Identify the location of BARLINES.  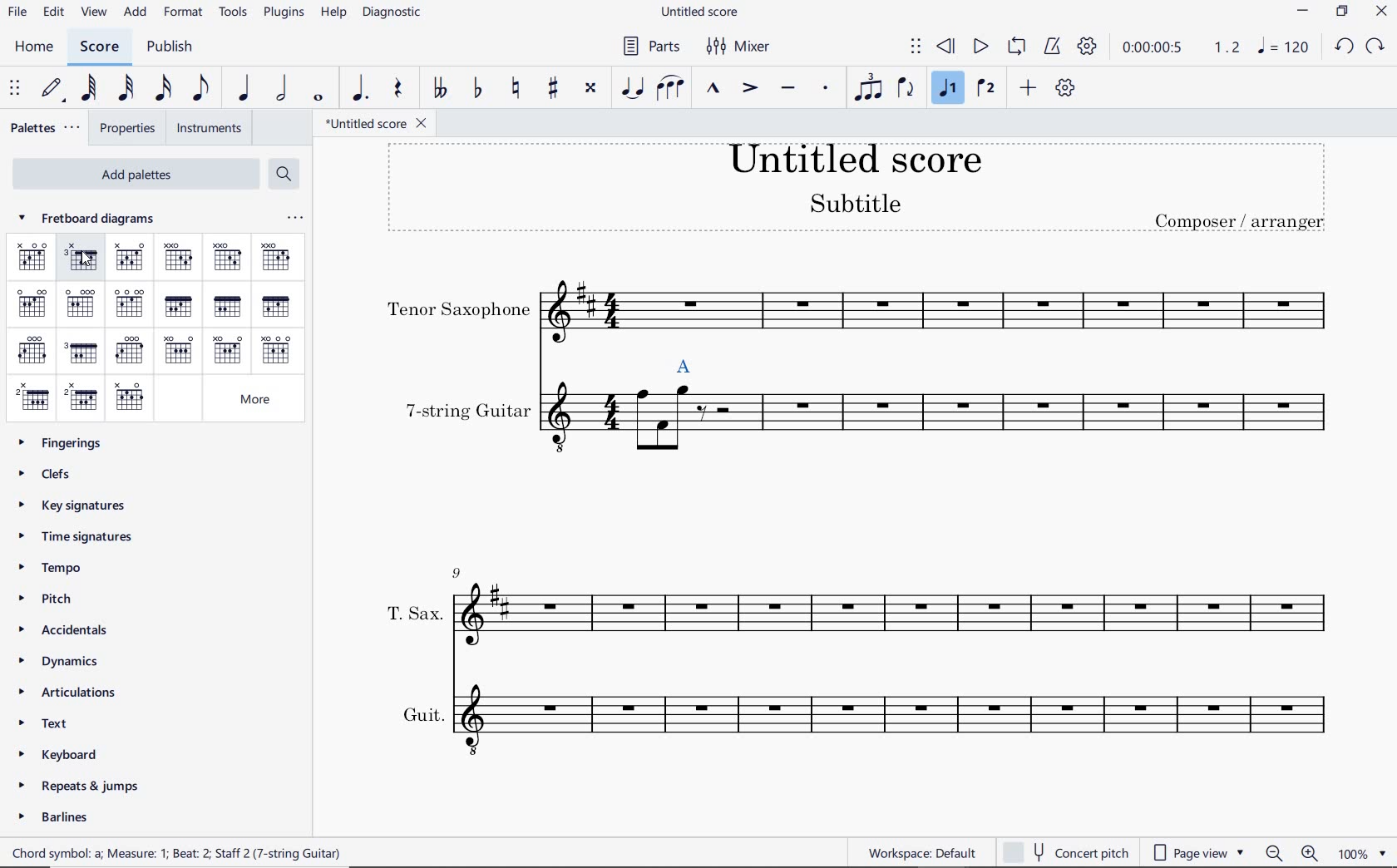
(59, 818).